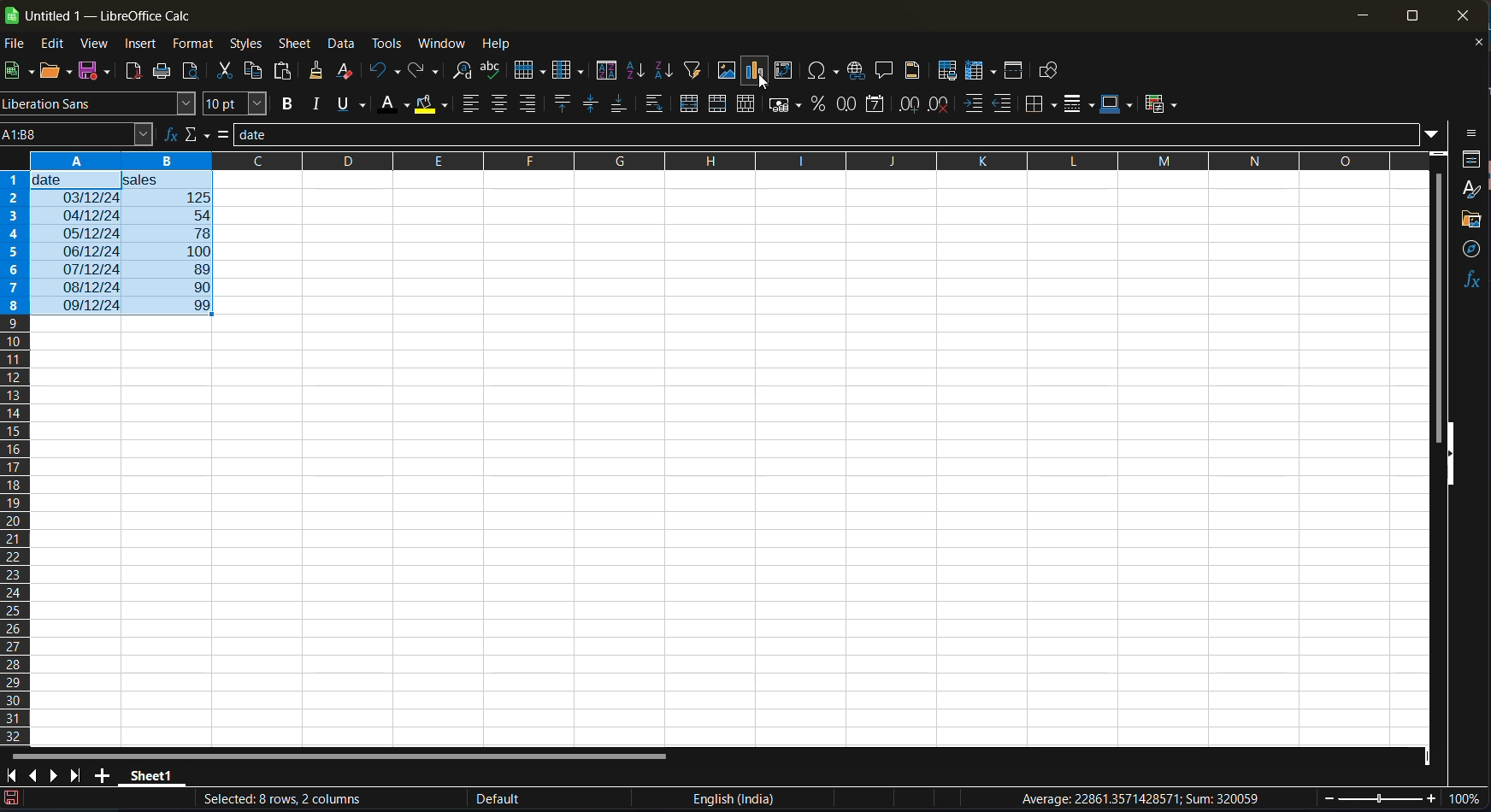 This screenshot has width=1491, height=812. Describe the element at coordinates (1052, 74) in the screenshot. I see `show draw functions` at that location.